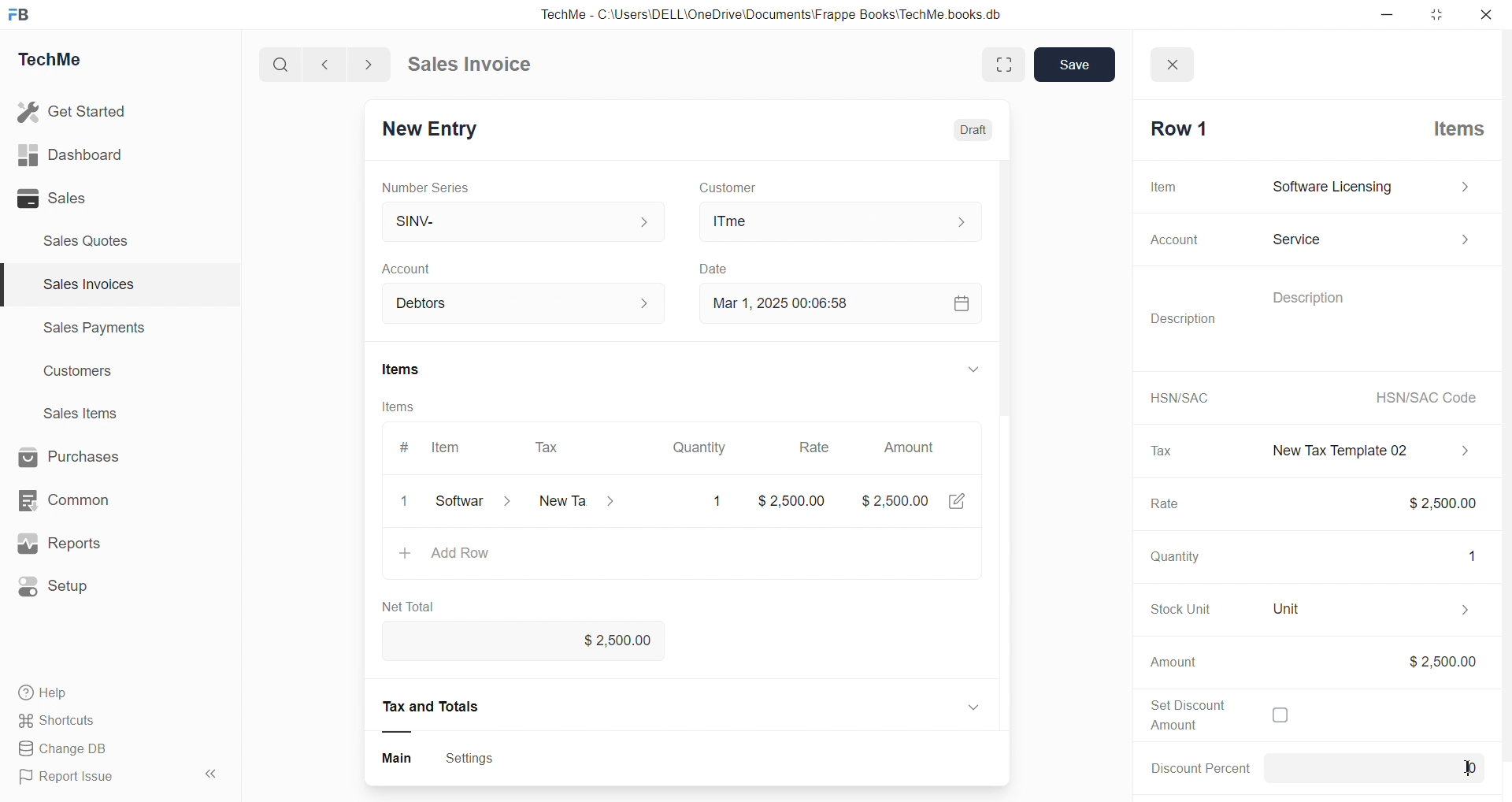 The width and height of the screenshot is (1512, 802). I want to click on & Get Started, so click(74, 110).